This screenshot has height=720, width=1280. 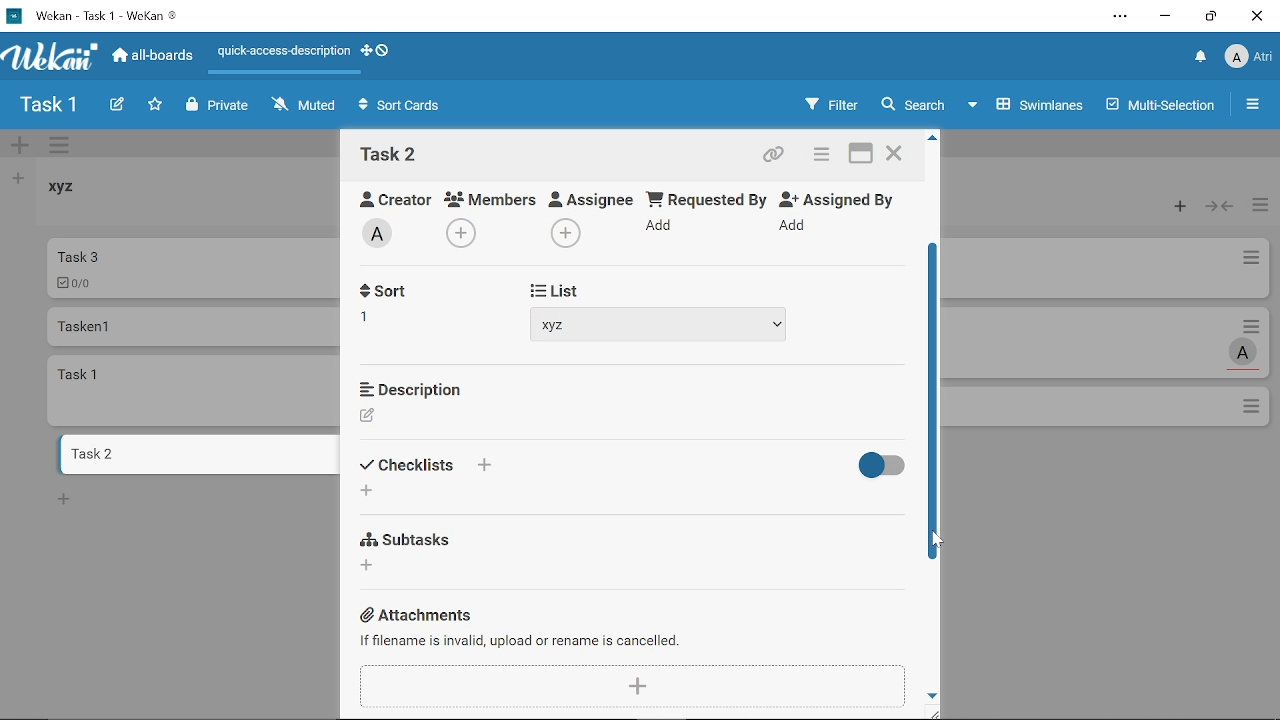 What do you see at coordinates (844, 198) in the screenshot?
I see `Assigned By` at bounding box center [844, 198].